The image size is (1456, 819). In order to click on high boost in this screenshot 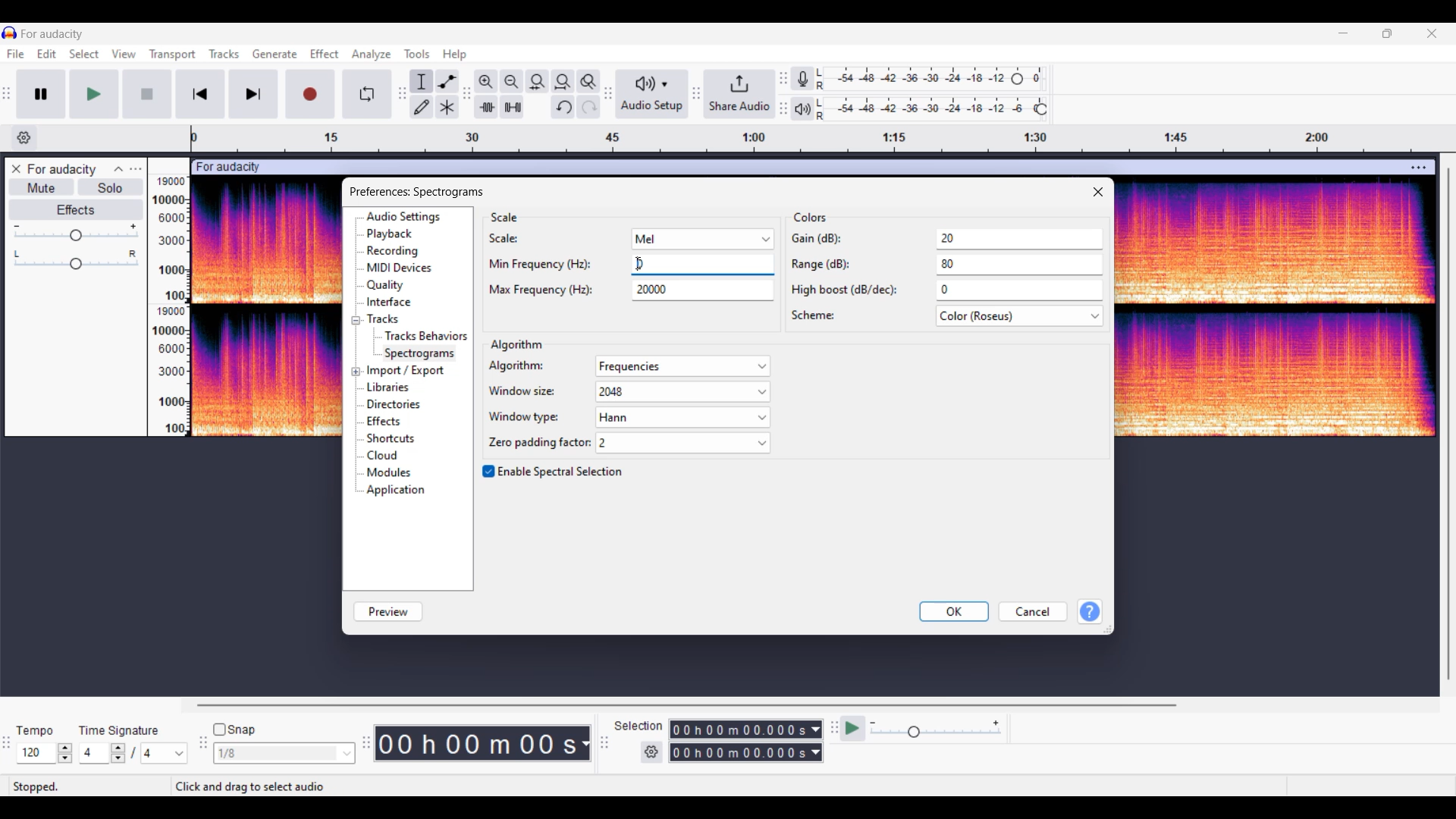, I will do `click(945, 291)`.